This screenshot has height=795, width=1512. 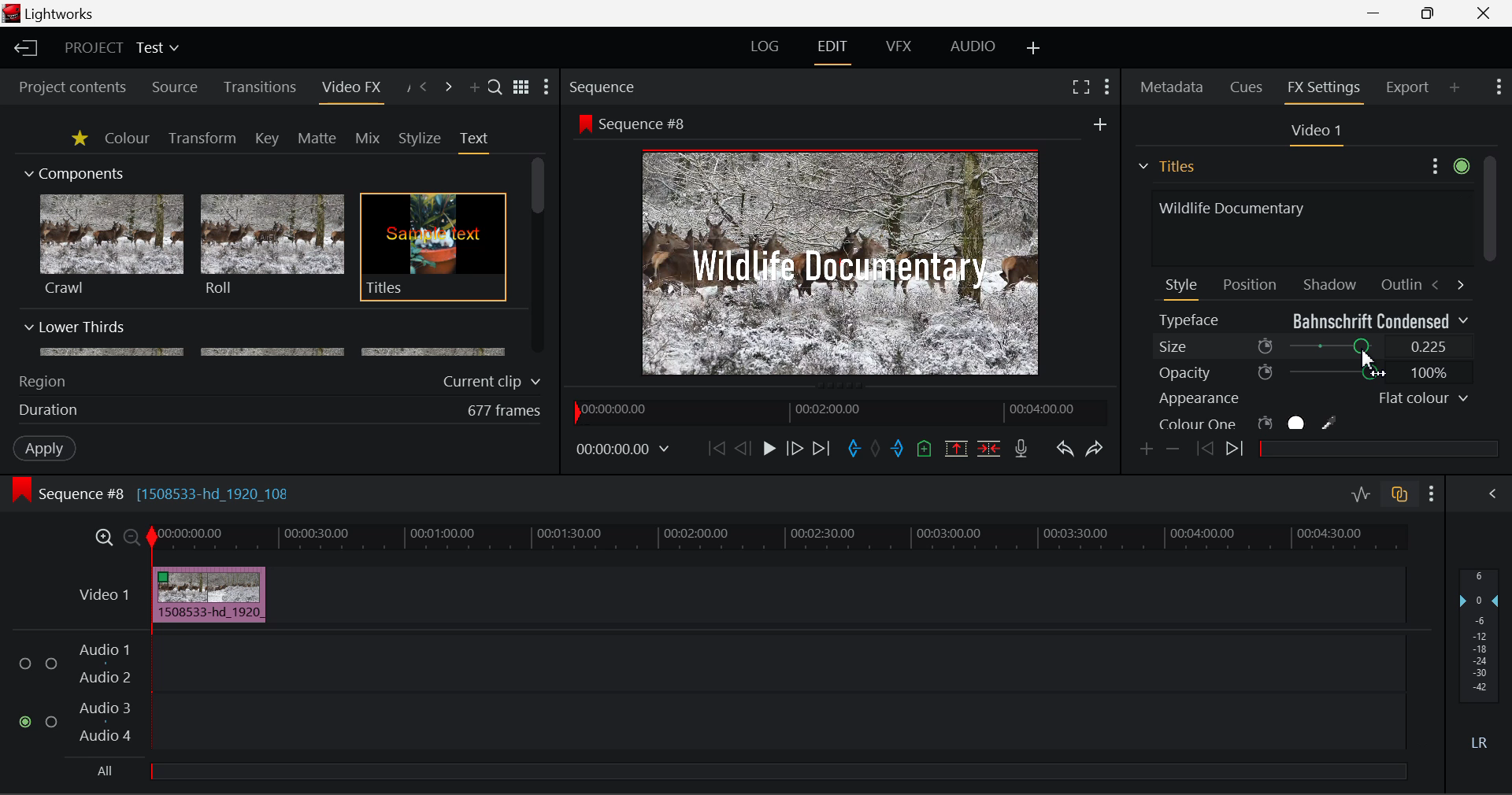 What do you see at coordinates (106, 594) in the screenshot?
I see `Video 1` at bounding box center [106, 594].